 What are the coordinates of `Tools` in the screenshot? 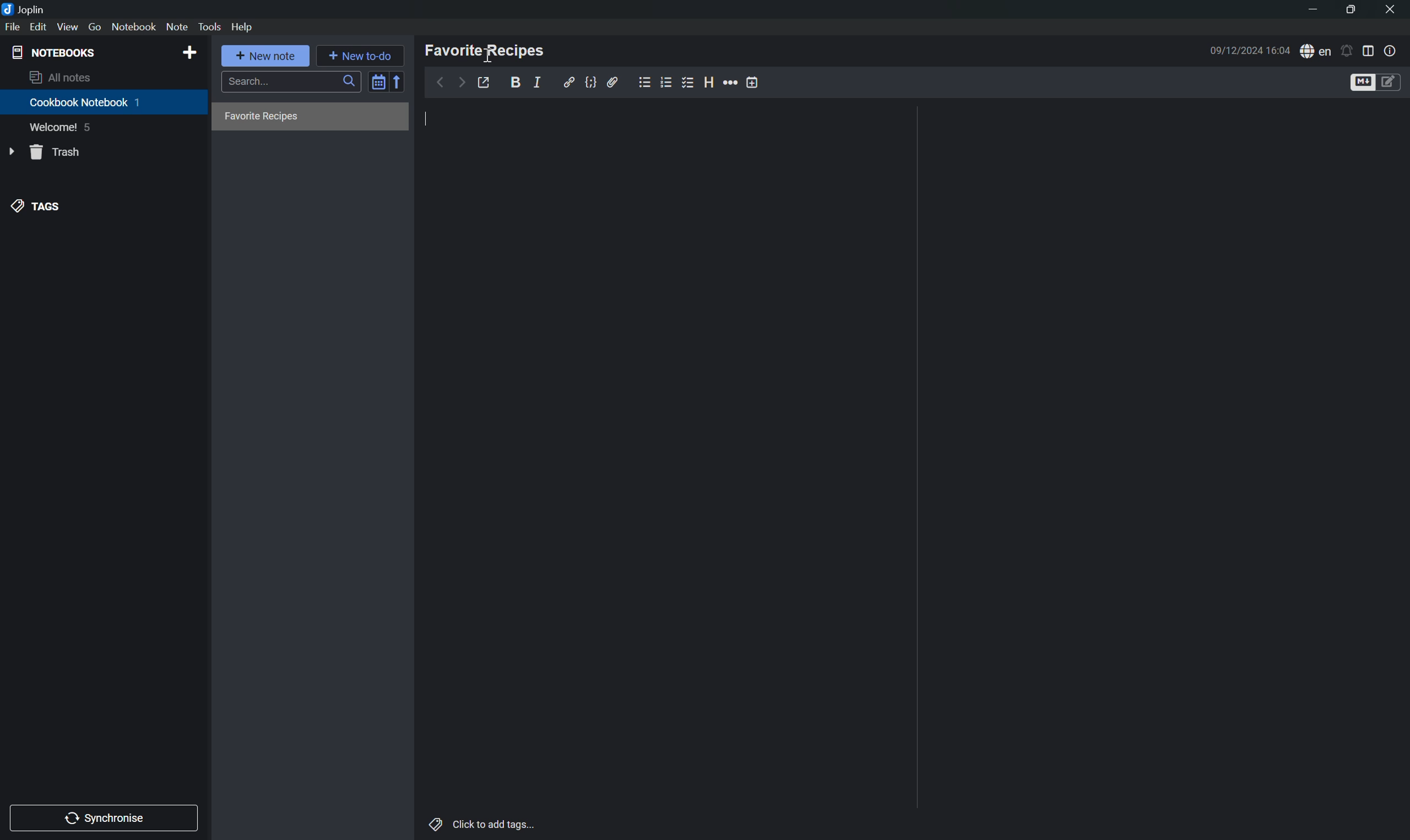 It's located at (210, 27).